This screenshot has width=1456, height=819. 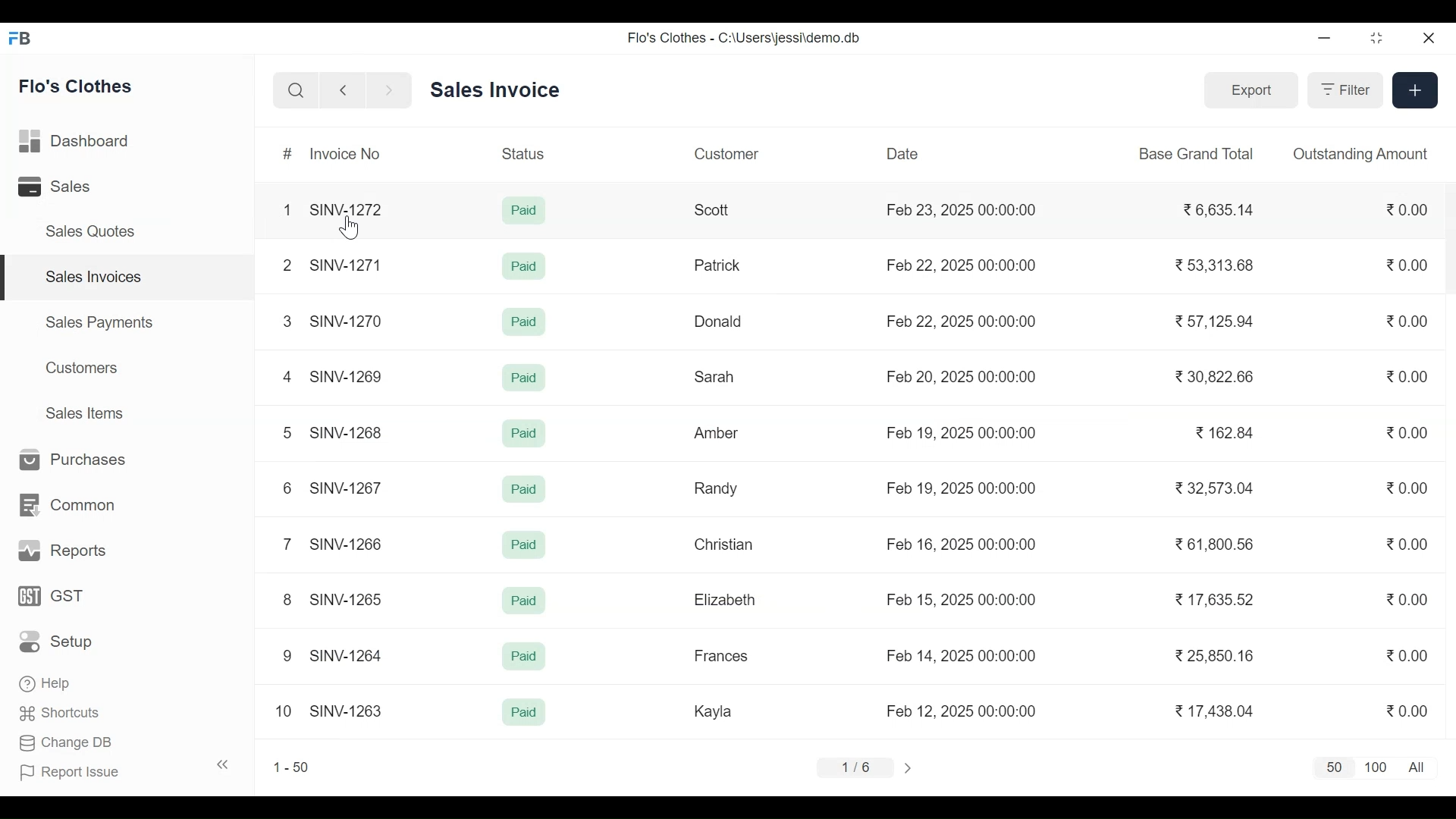 I want to click on Outstanding Amount, so click(x=1361, y=155).